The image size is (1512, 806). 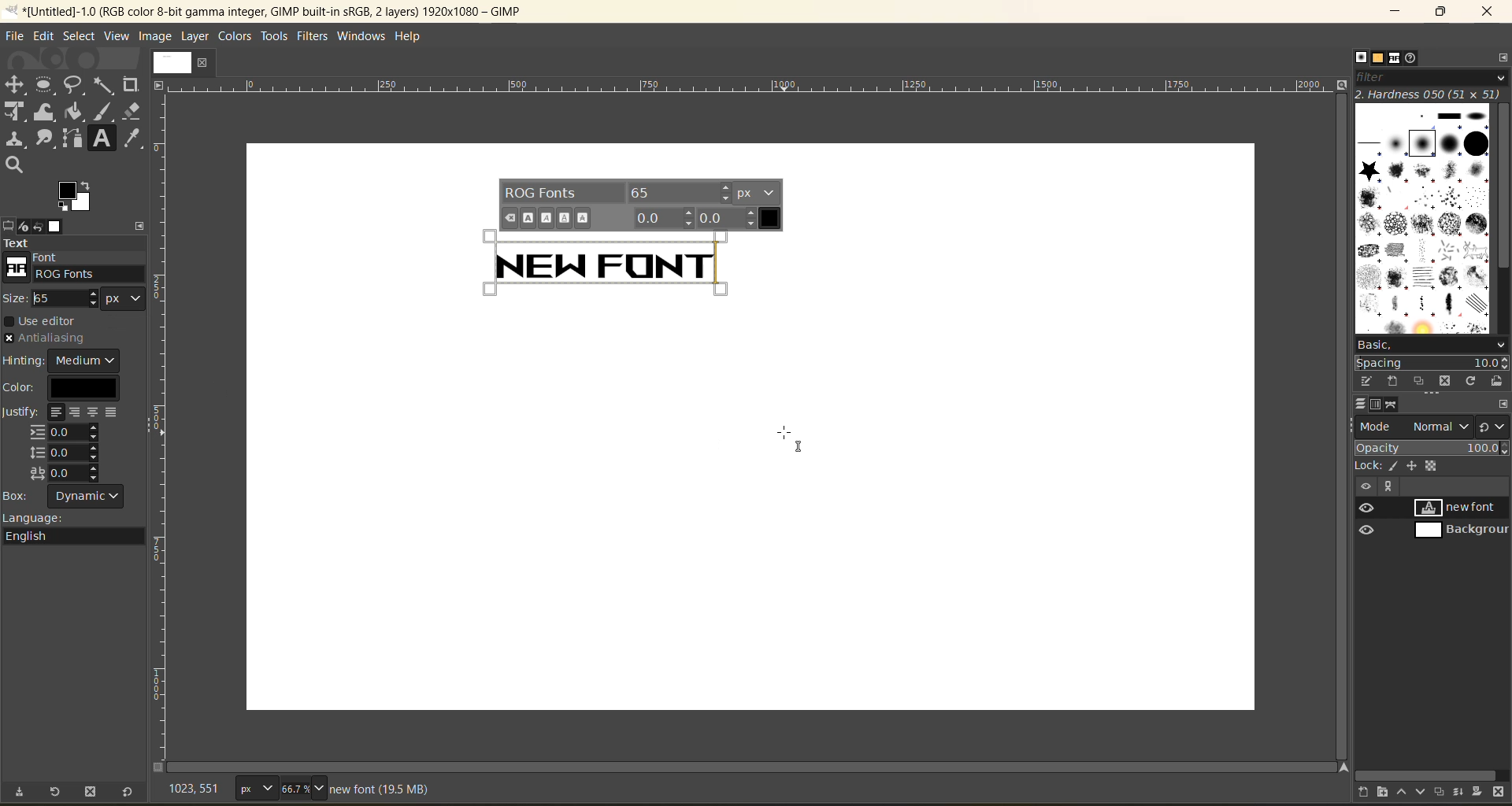 What do you see at coordinates (1392, 383) in the screenshot?
I see `create a new brush` at bounding box center [1392, 383].